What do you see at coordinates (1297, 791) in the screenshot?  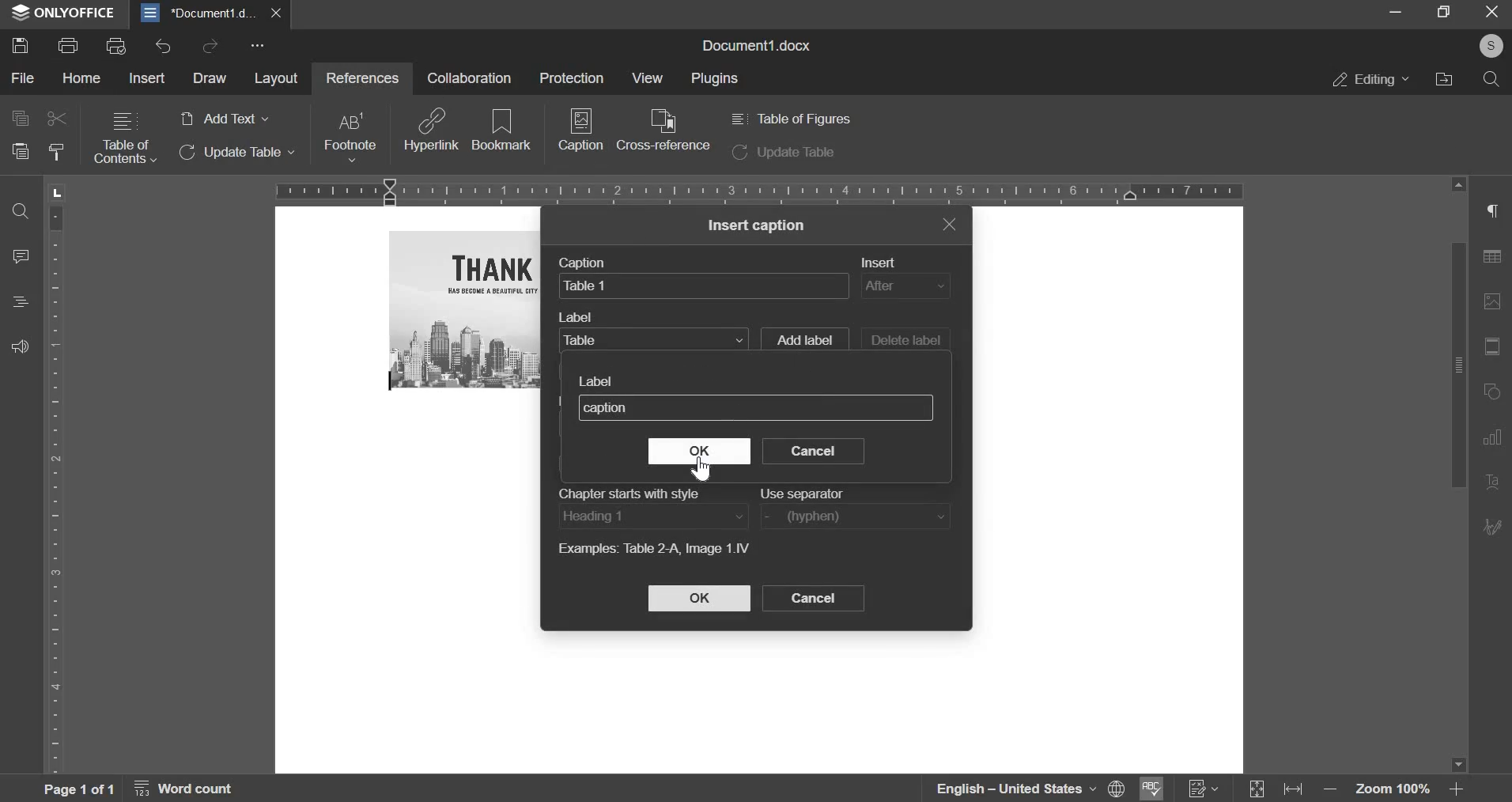 I see `fit` at bounding box center [1297, 791].